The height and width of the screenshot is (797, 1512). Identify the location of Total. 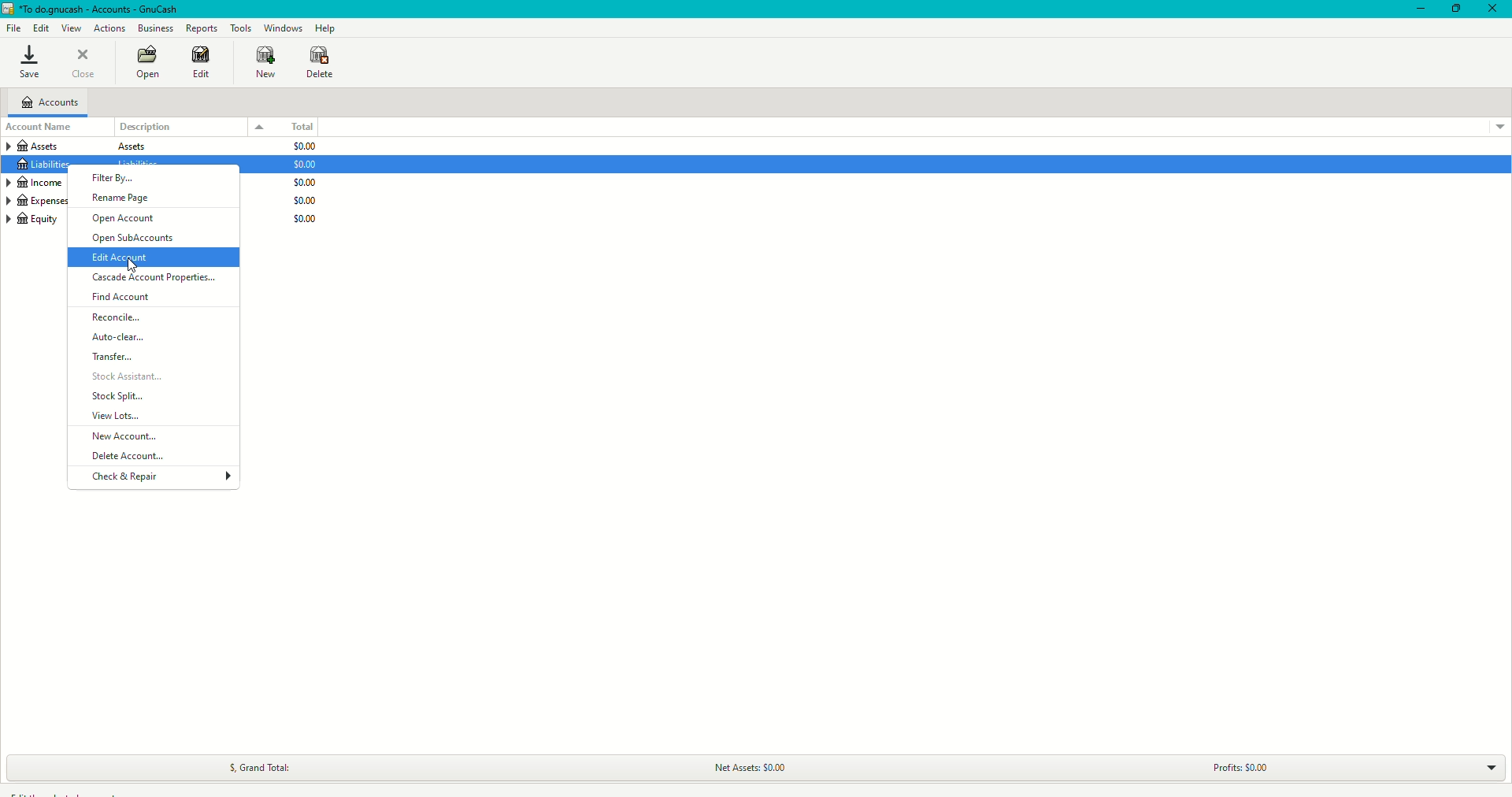
(298, 126).